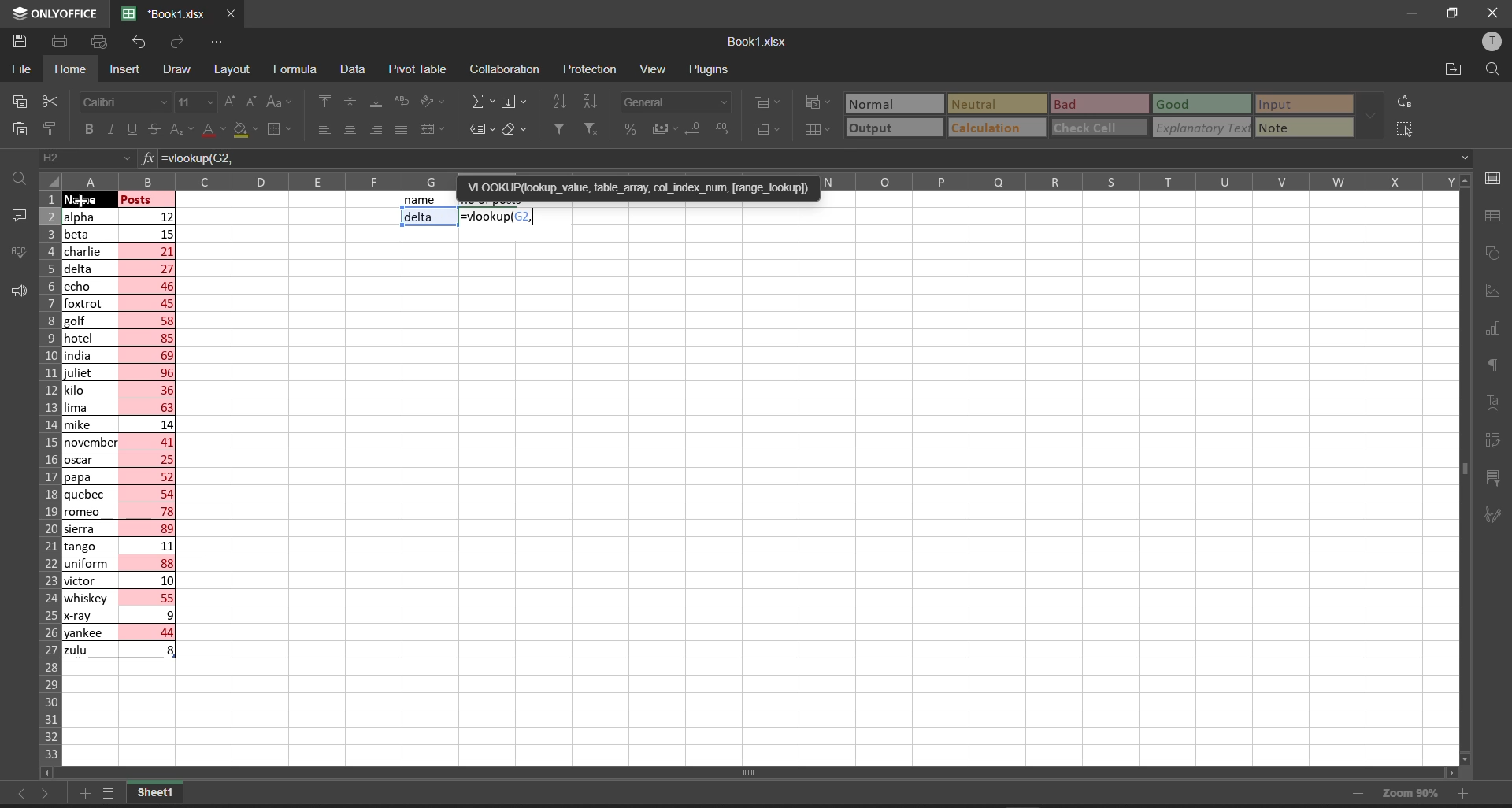 The height and width of the screenshot is (808, 1512). Describe the element at coordinates (230, 102) in the screenshot. I see `increment font size` at that location.